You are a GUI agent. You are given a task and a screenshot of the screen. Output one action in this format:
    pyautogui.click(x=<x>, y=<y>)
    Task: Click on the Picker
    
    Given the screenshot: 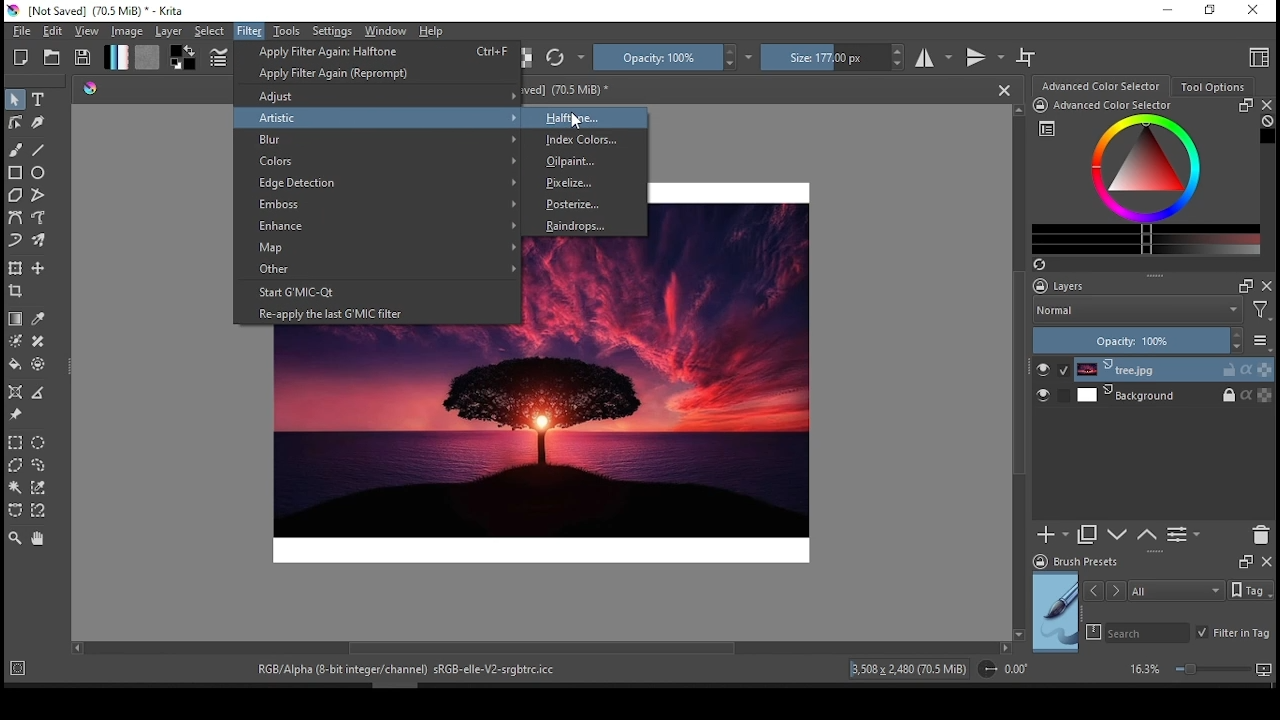 What is the action you would take?
    pyautogui.click(x=90, y=89)
    